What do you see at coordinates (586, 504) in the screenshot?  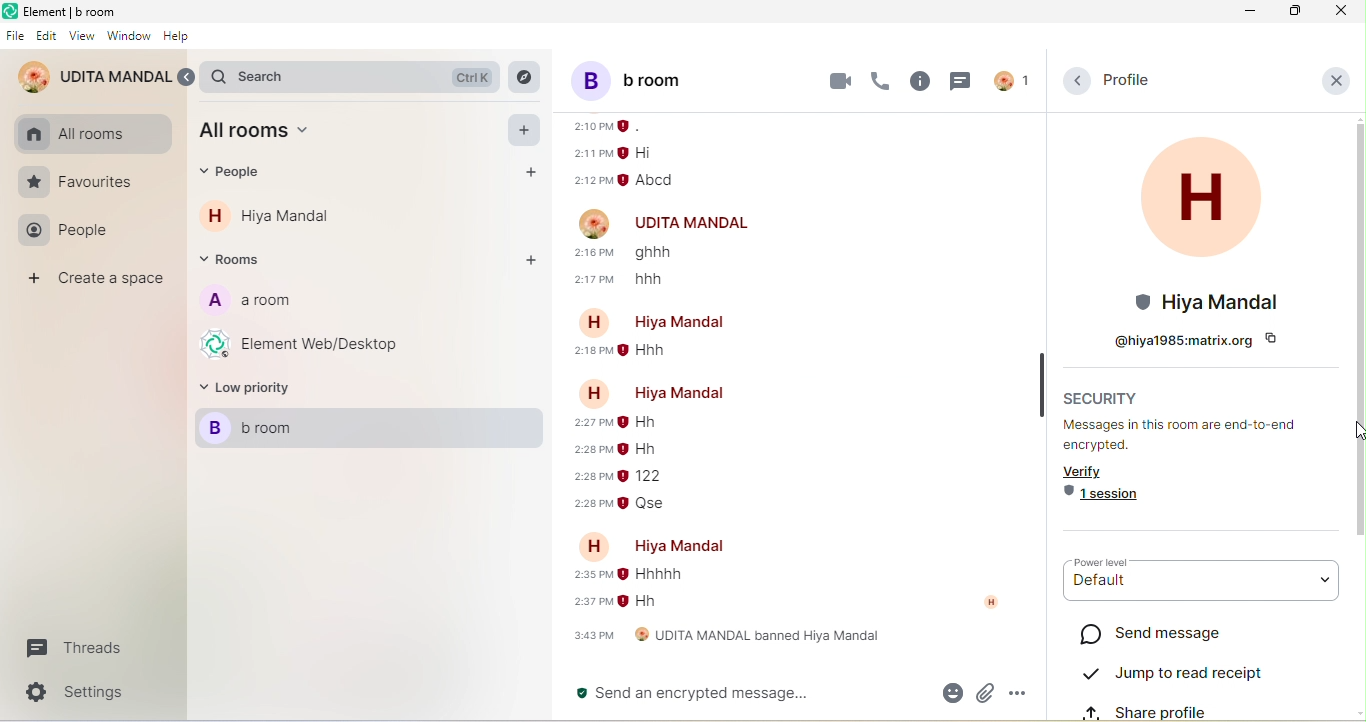 I see `sending message time` at bounding box center [586, 504].